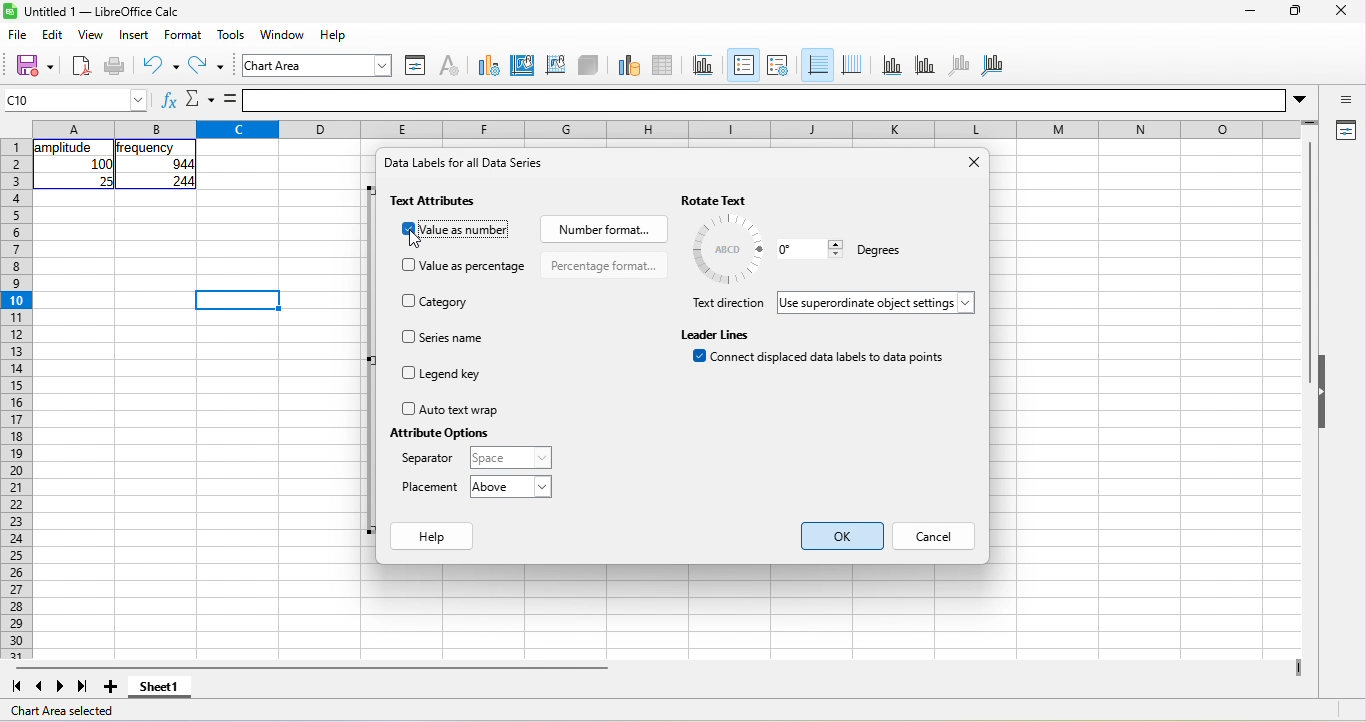 This screenshot has height=722, width=1366. I want to click on chart area selected, so click(70, 711).